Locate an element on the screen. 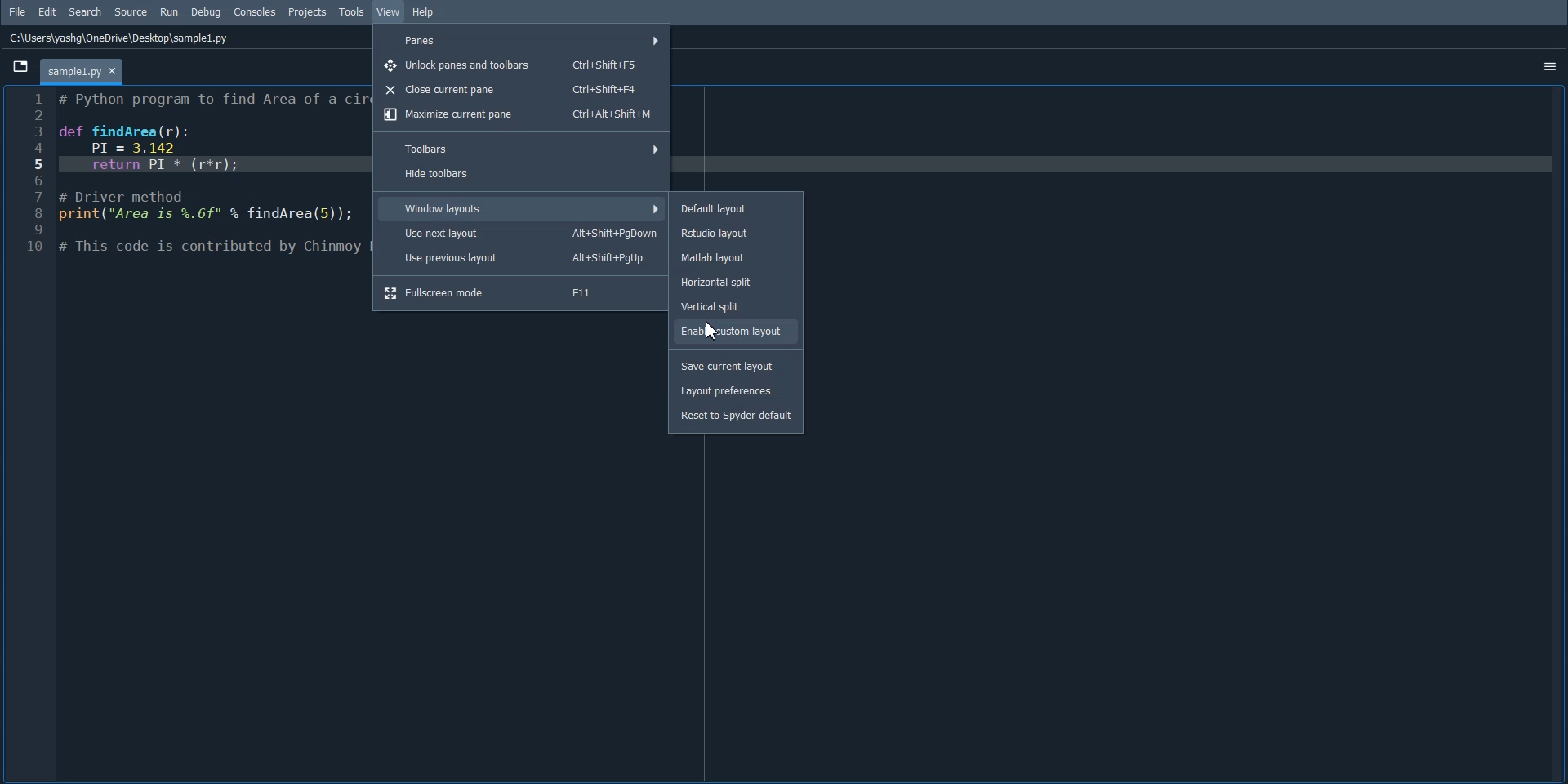 The width and height of the screenshot is (1568, 784). Search is located at coordinates (86, 12).